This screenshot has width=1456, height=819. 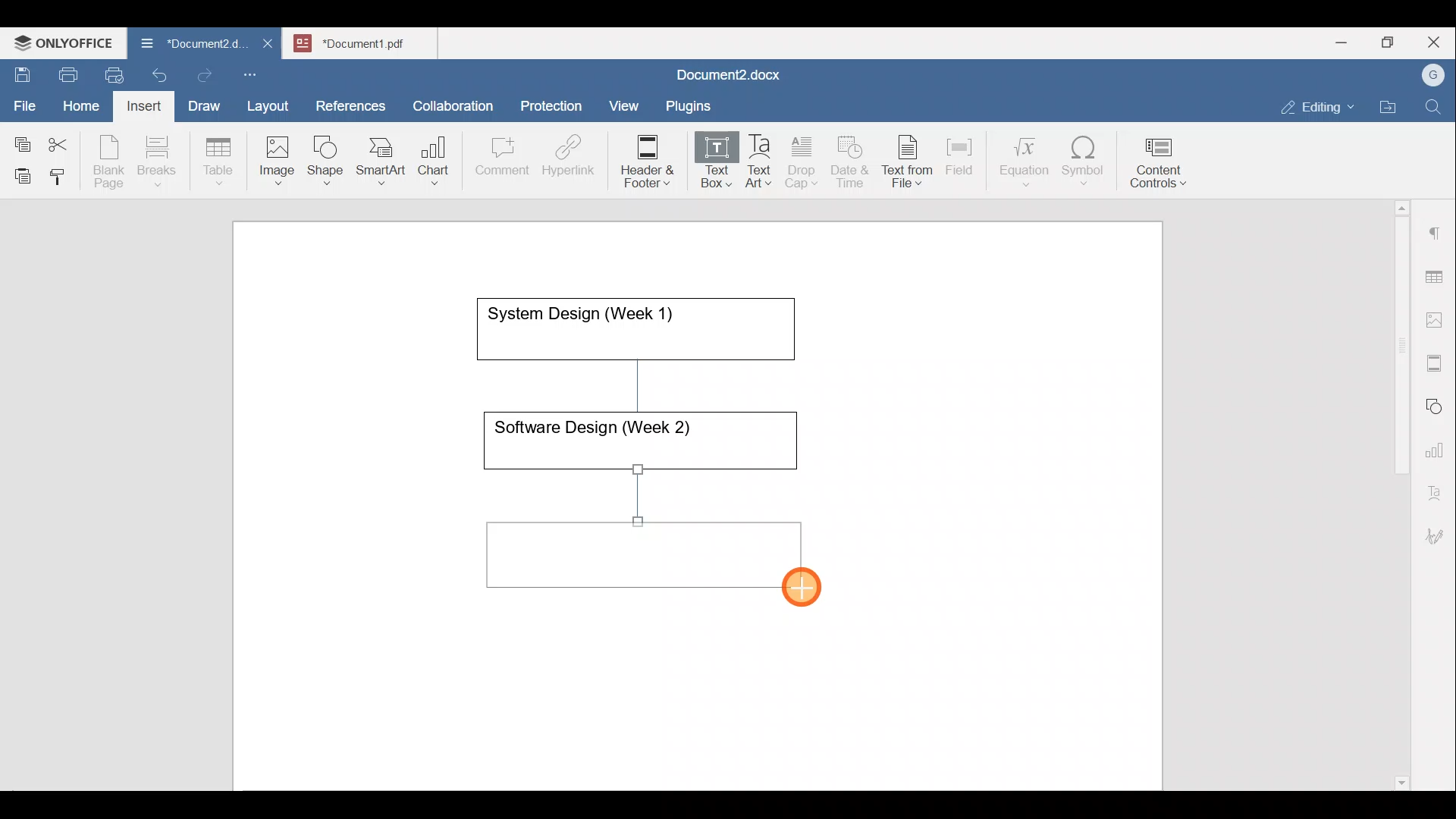 I want to click on Headers & footers, so click(x=1437, y=359).